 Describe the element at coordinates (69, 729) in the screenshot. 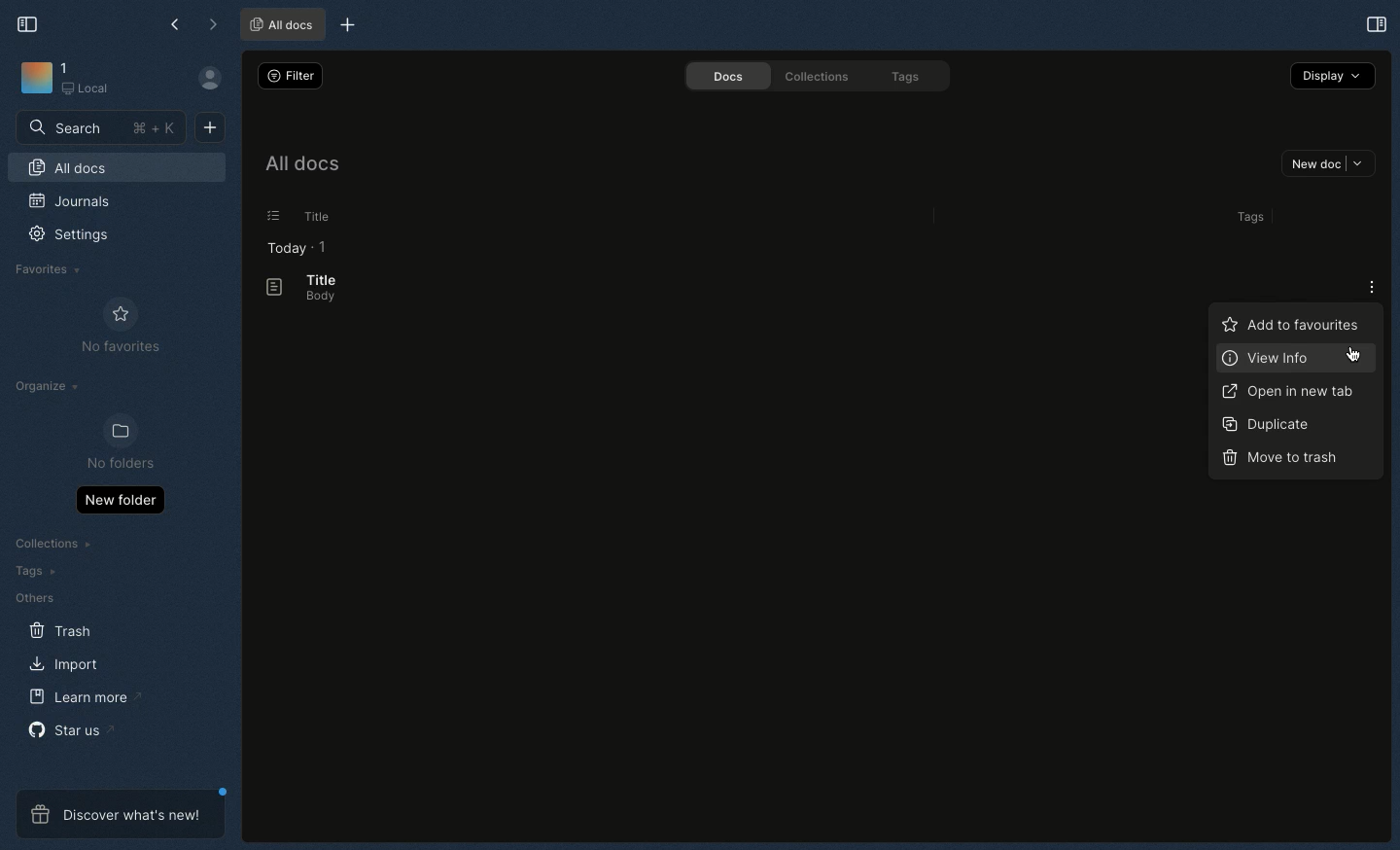

I see `Star us` at that location.